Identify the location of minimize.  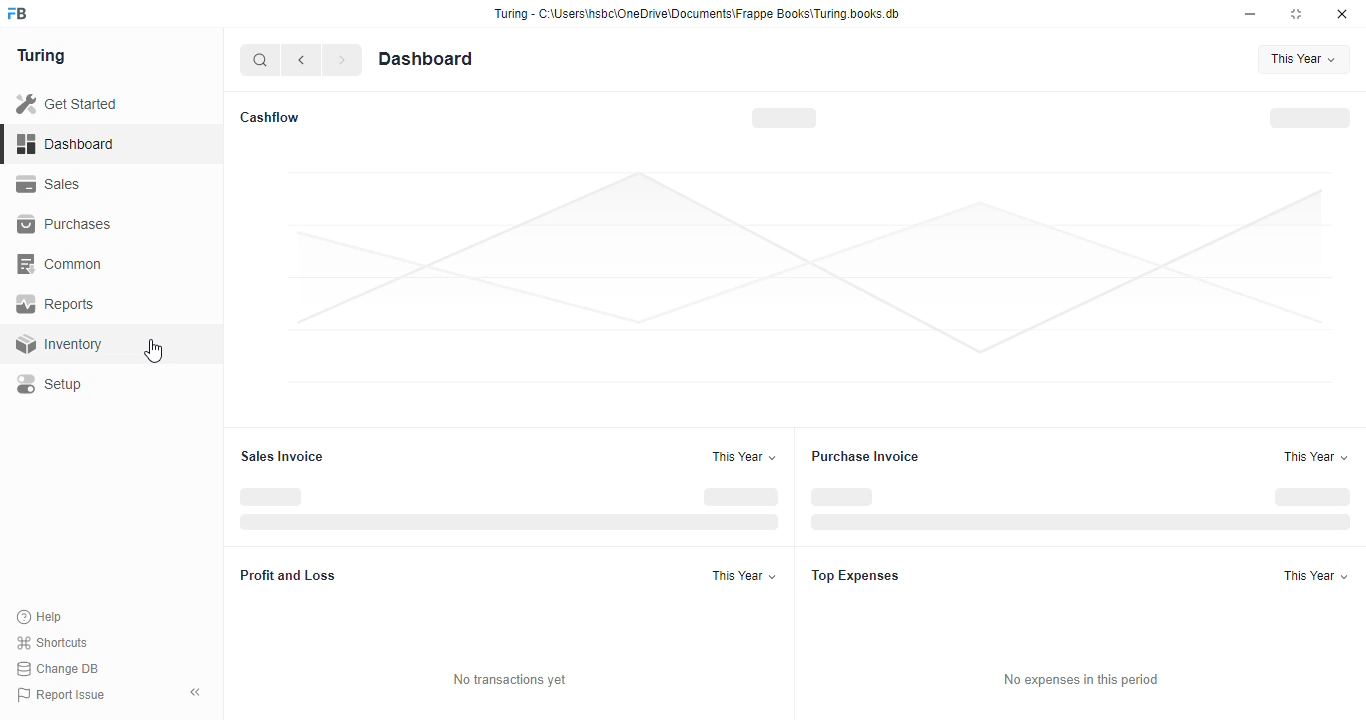
(1250, 15).